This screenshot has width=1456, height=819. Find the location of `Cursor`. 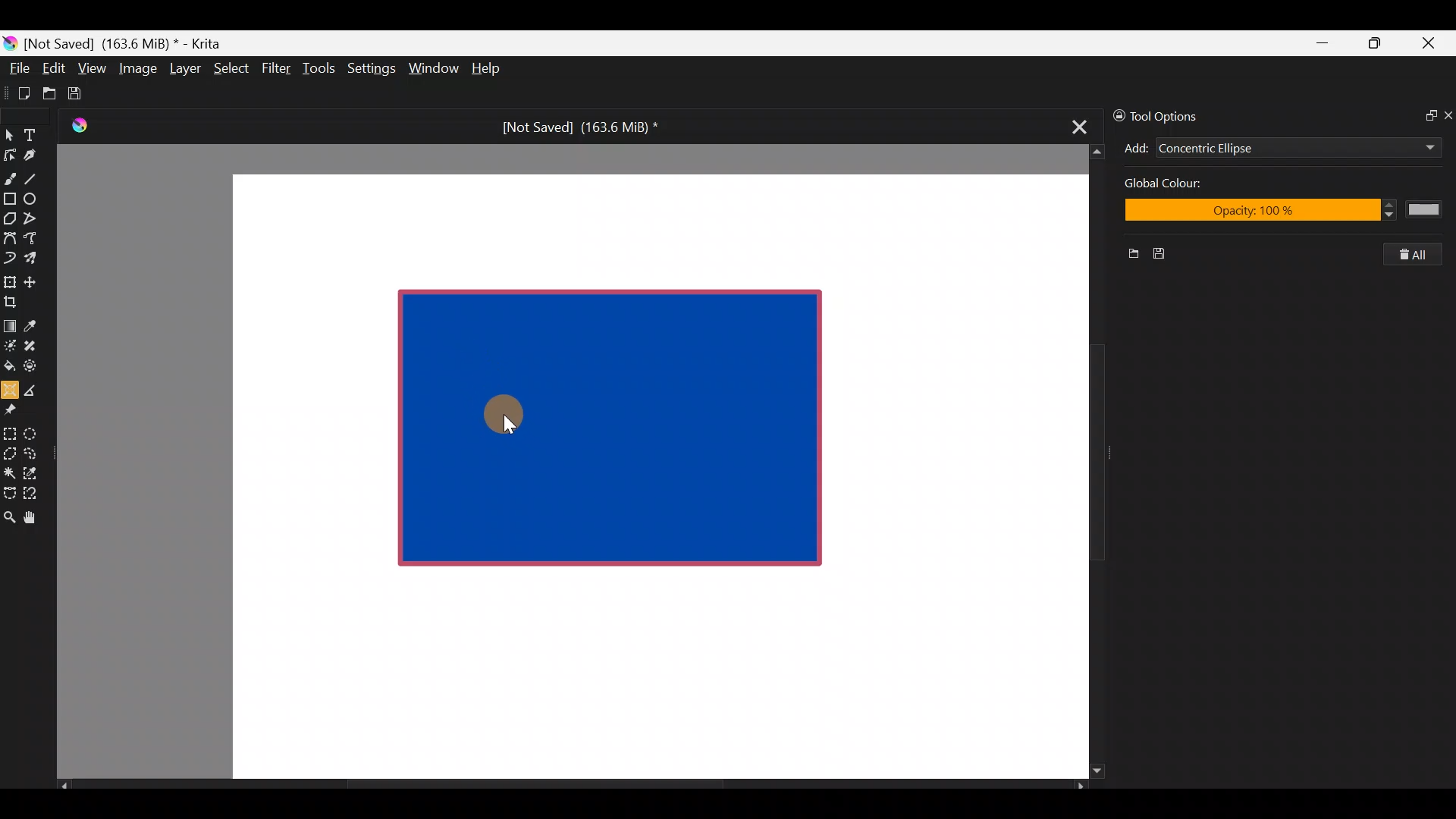

Cursor is located at coordinates (501, 413).